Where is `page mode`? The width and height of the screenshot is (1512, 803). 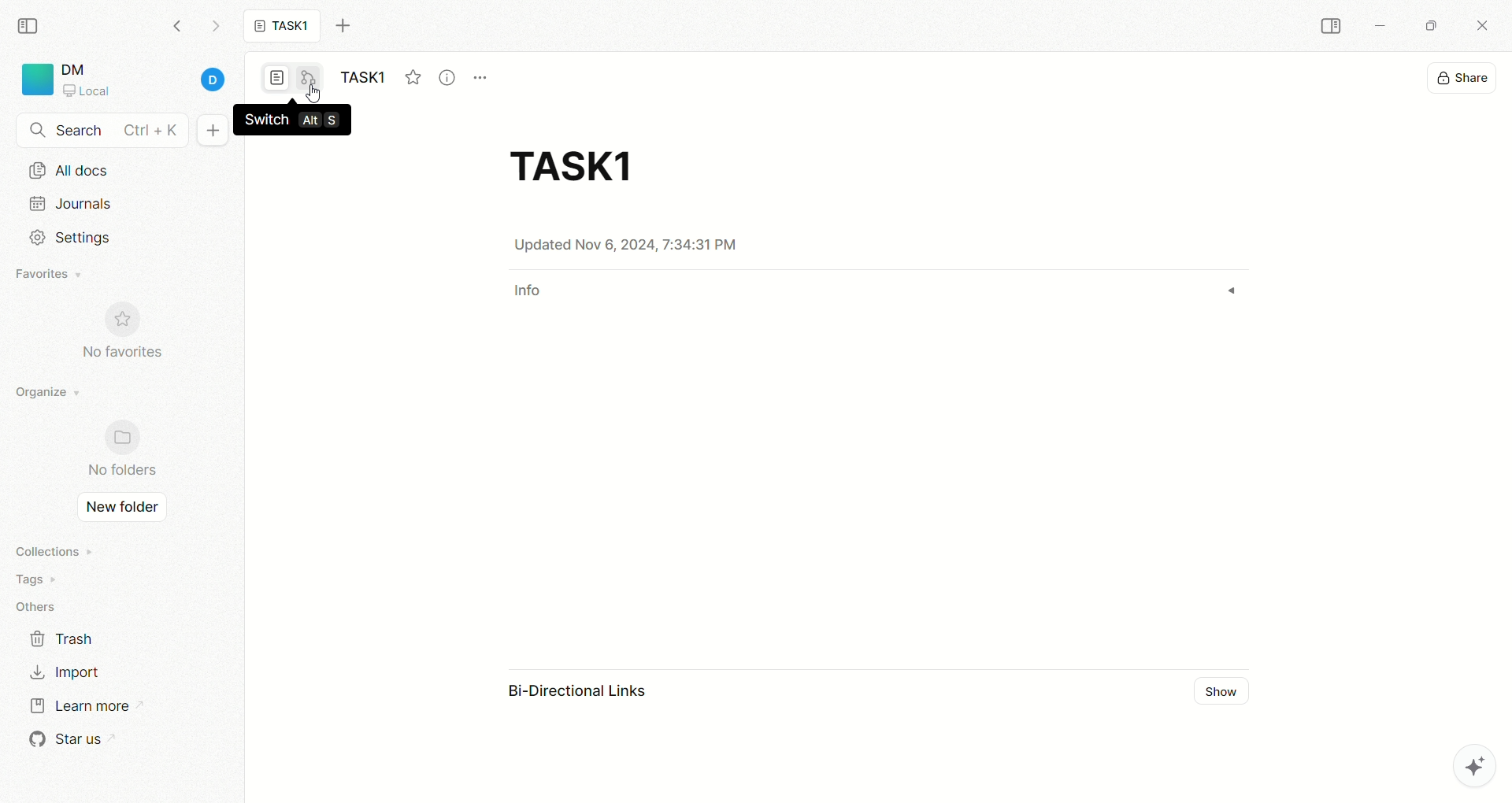
page mode is located at coordinates (278, 80).